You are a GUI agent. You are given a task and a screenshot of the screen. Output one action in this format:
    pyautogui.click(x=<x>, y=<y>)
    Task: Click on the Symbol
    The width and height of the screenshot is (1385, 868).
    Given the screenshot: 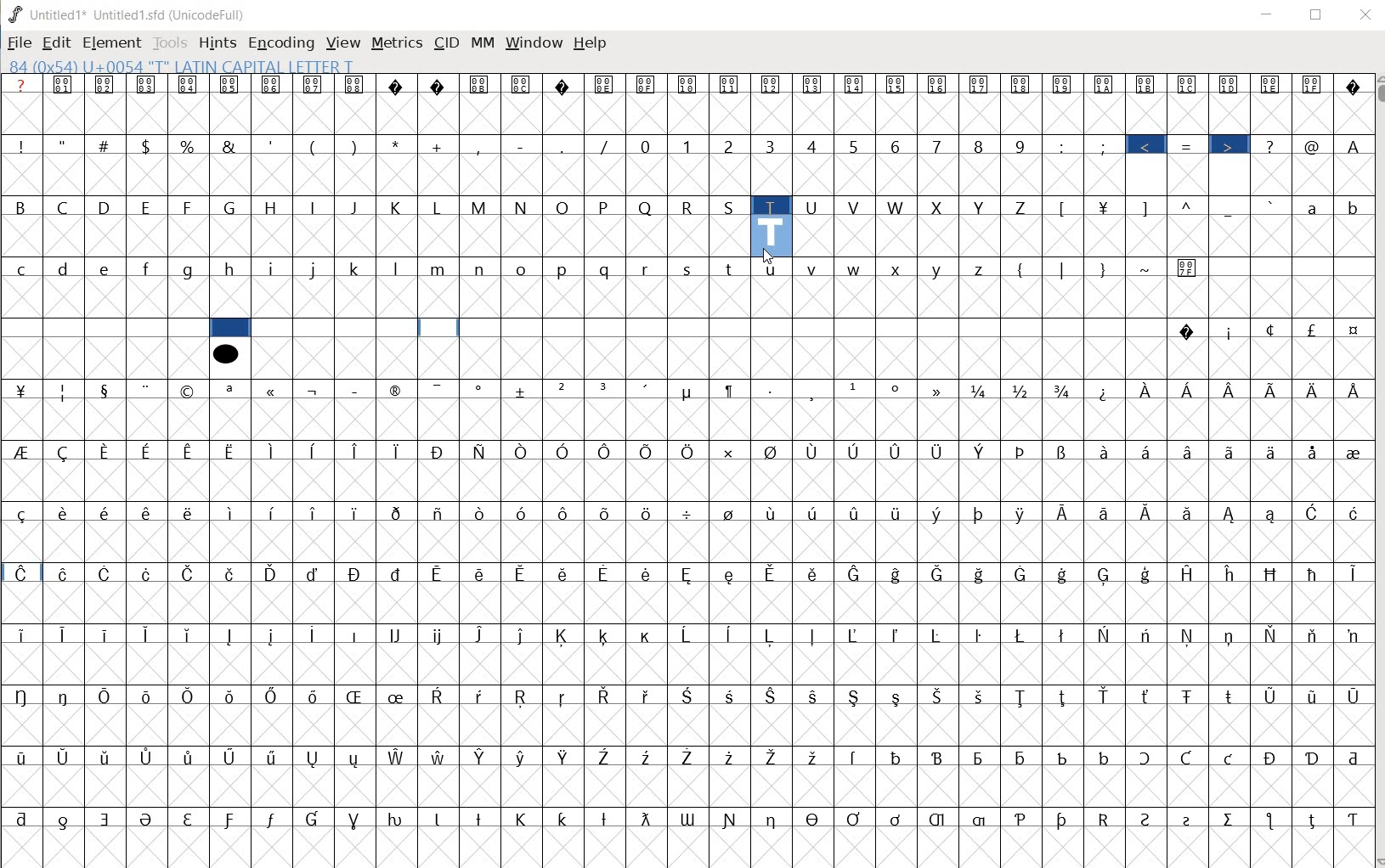 What is the action you would take?
    pyautogui.click(x=693, y=758)
    